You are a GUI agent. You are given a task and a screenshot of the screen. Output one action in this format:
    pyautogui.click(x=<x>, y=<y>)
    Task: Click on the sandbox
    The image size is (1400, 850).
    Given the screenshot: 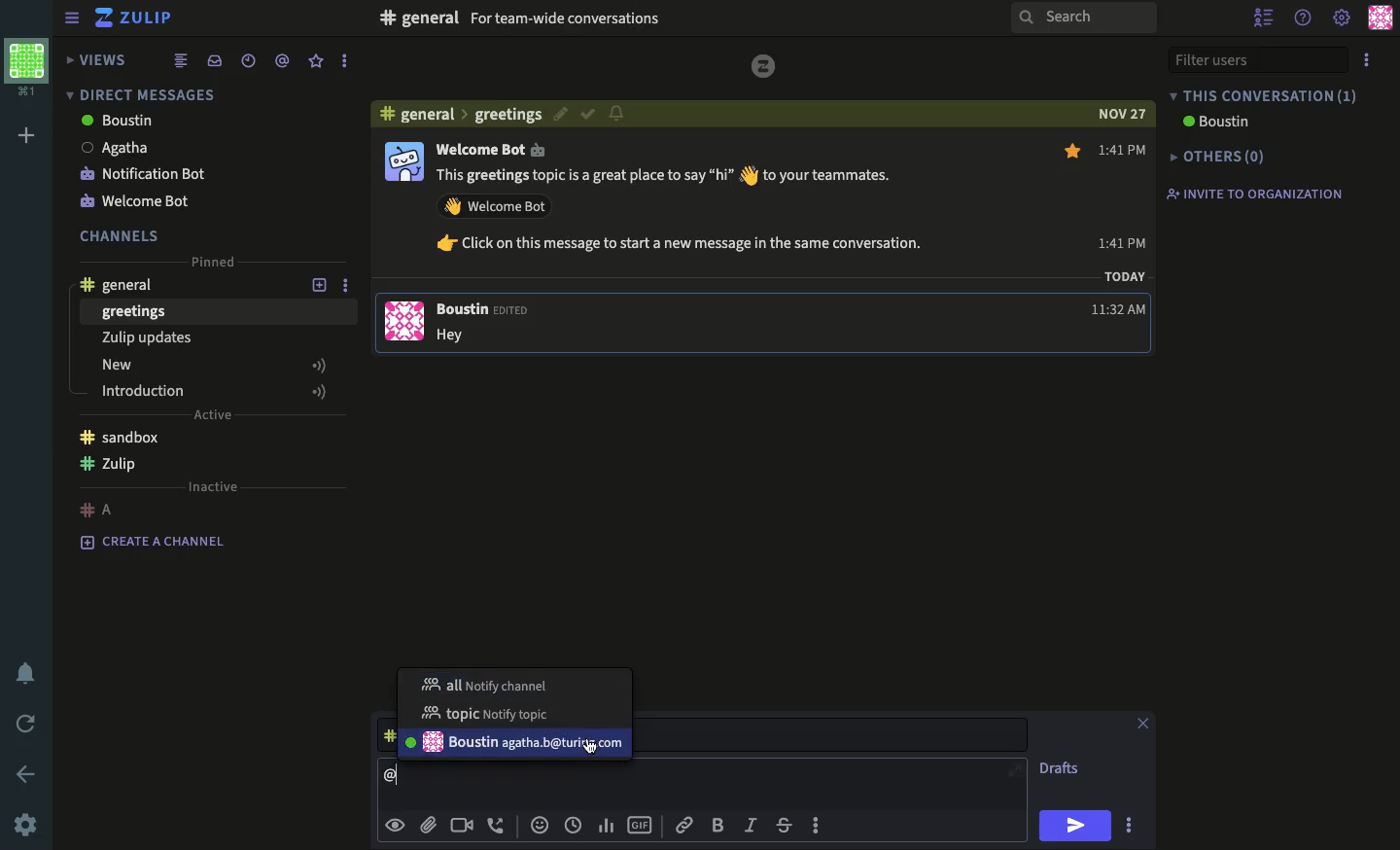 What is the action you would take?
    pyautogui.click(x=123, y=435)
    